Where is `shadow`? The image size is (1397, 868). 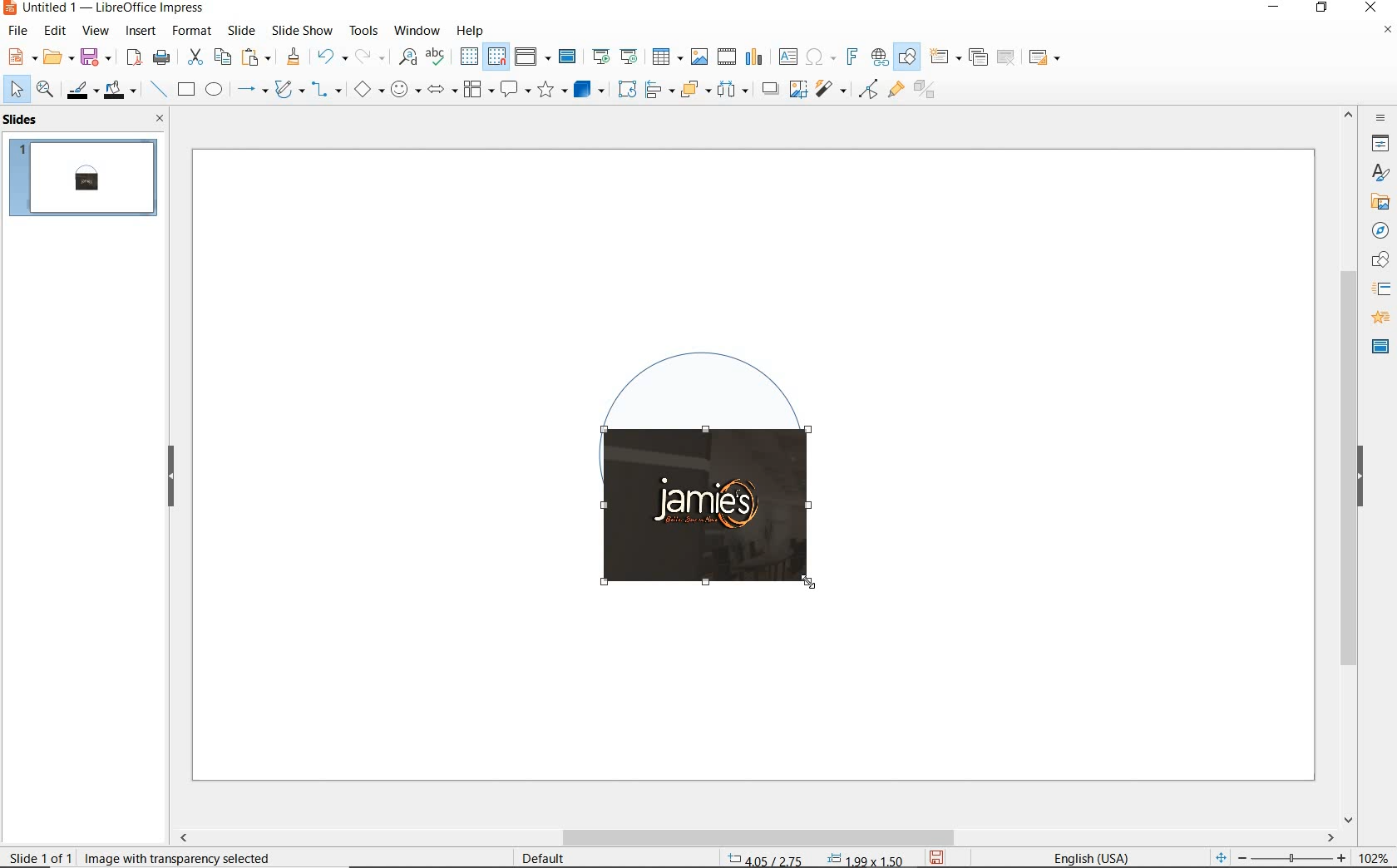 shadow is located at coordinates (769, 87).